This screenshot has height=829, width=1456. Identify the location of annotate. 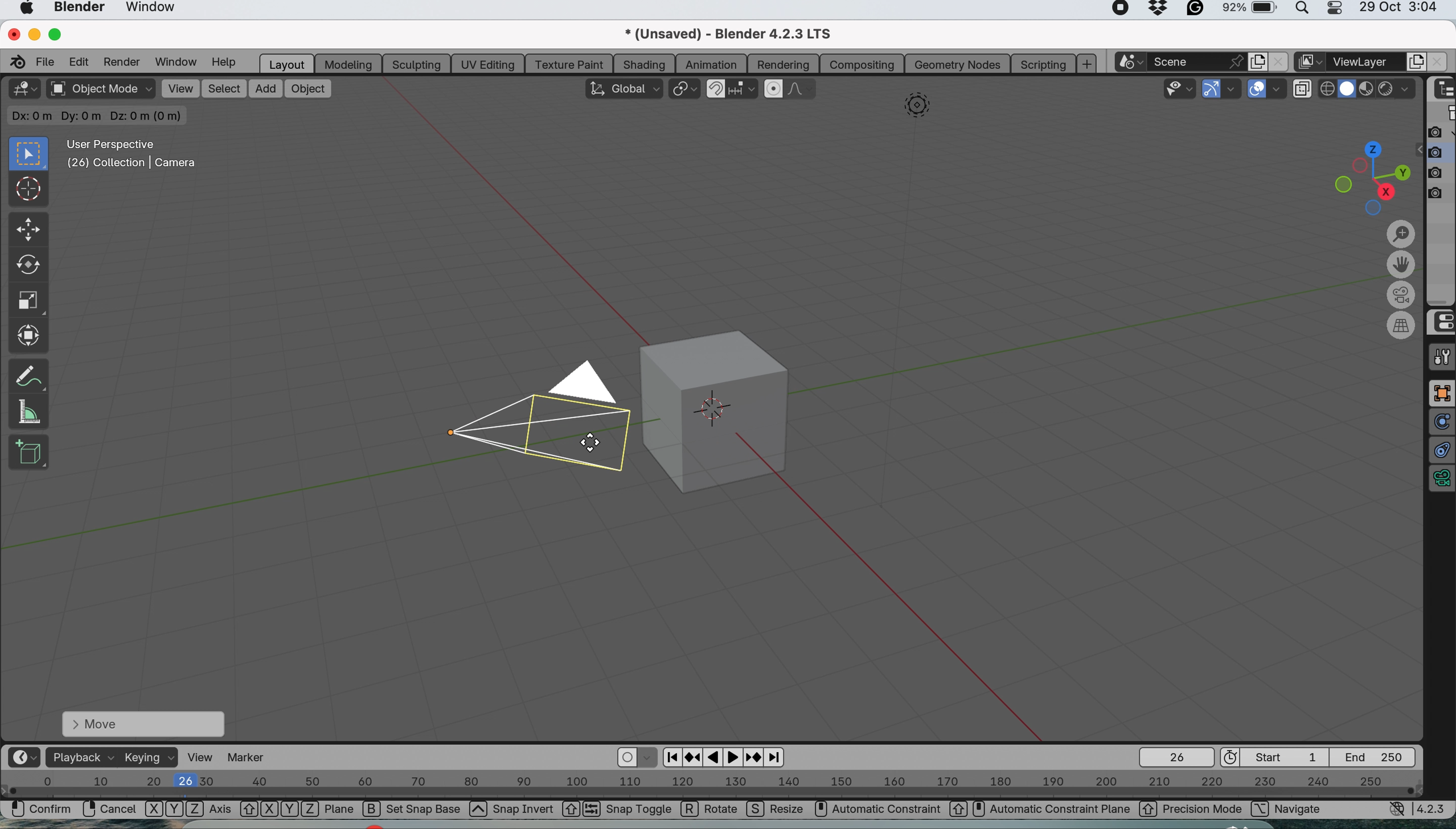
(28, 373).